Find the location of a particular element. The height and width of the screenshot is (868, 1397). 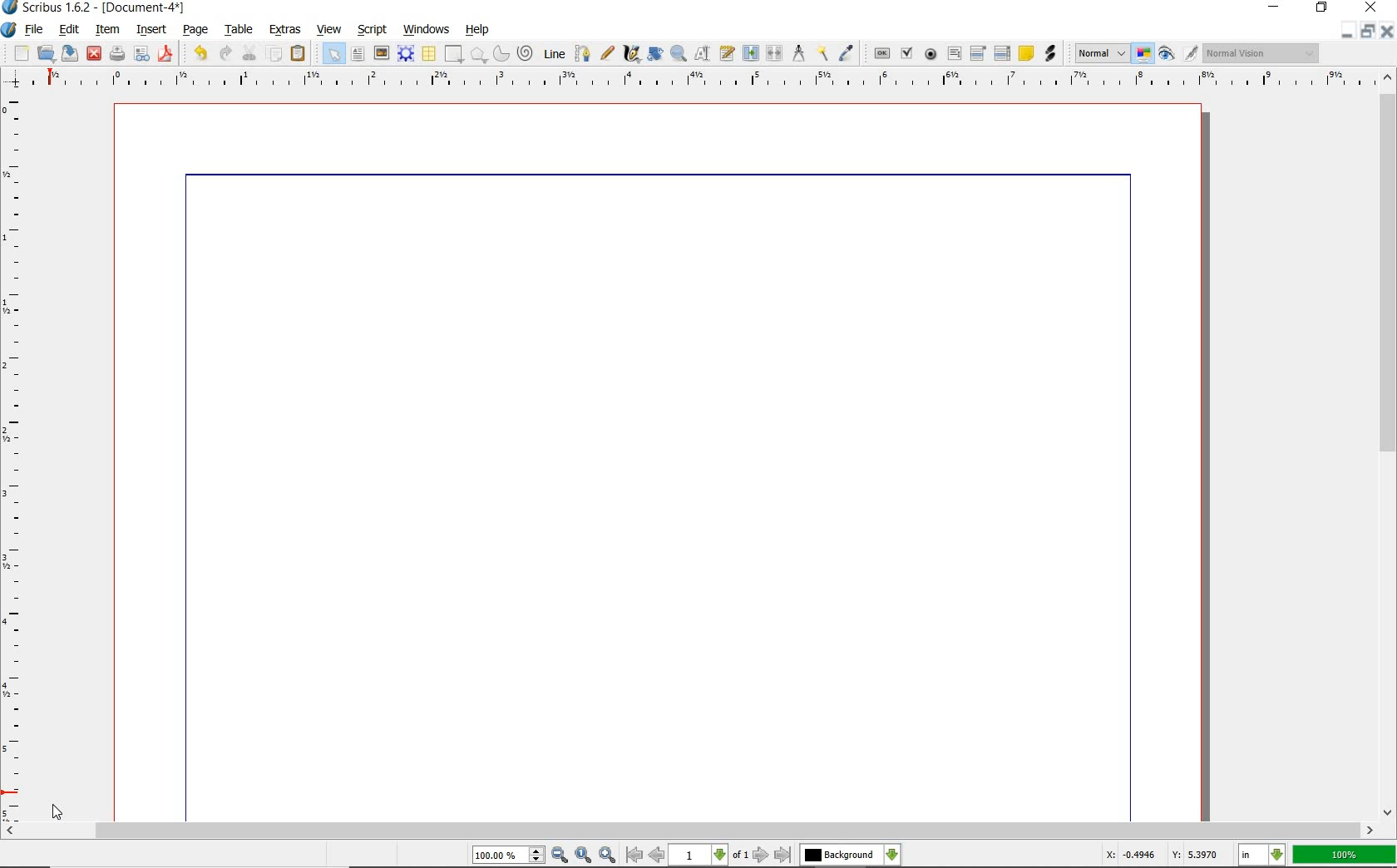

redo is located at coordinates (225, 52).